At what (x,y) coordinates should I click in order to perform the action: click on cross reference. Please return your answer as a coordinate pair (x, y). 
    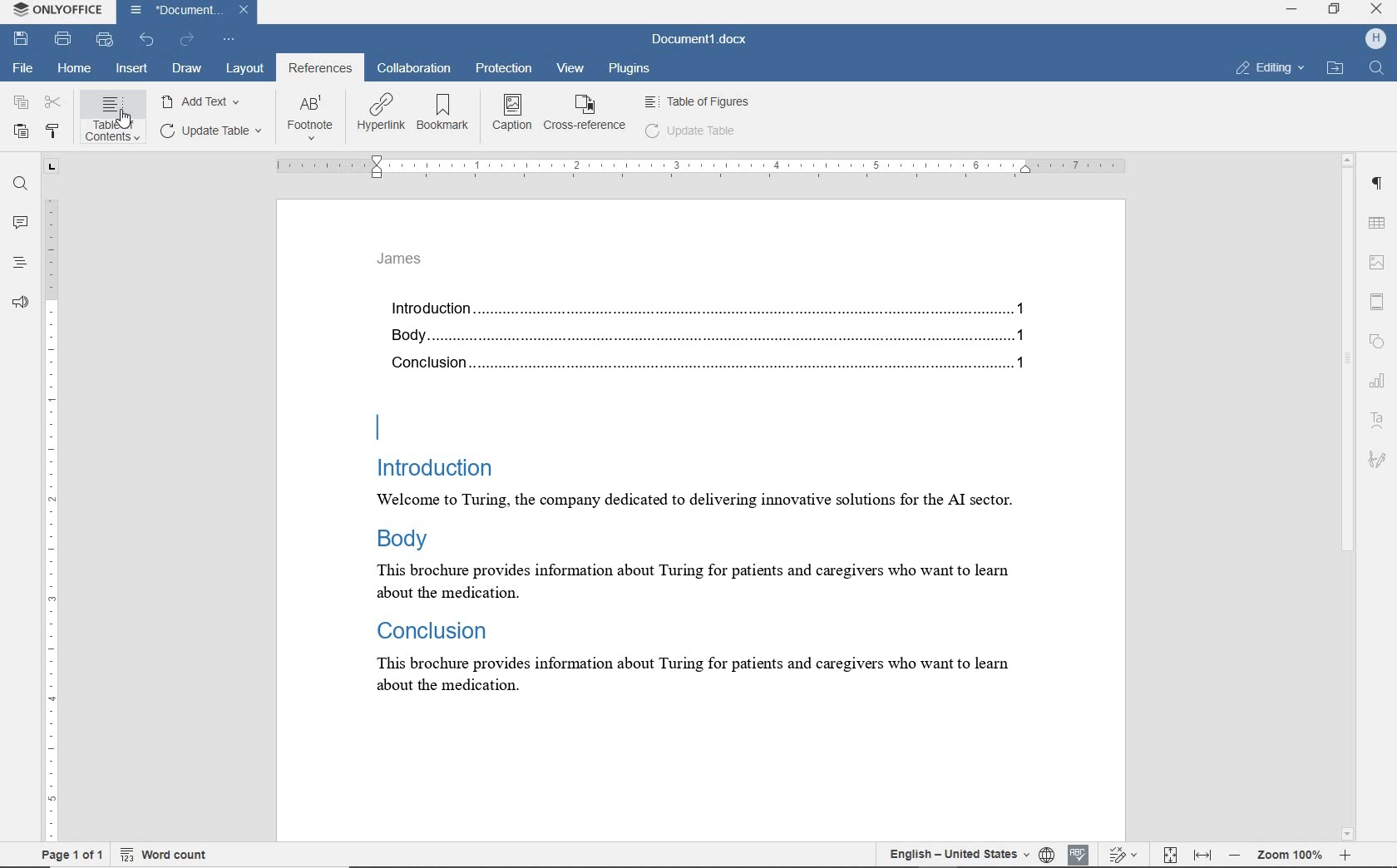
    Looking at the image, I should click on (585, 116).